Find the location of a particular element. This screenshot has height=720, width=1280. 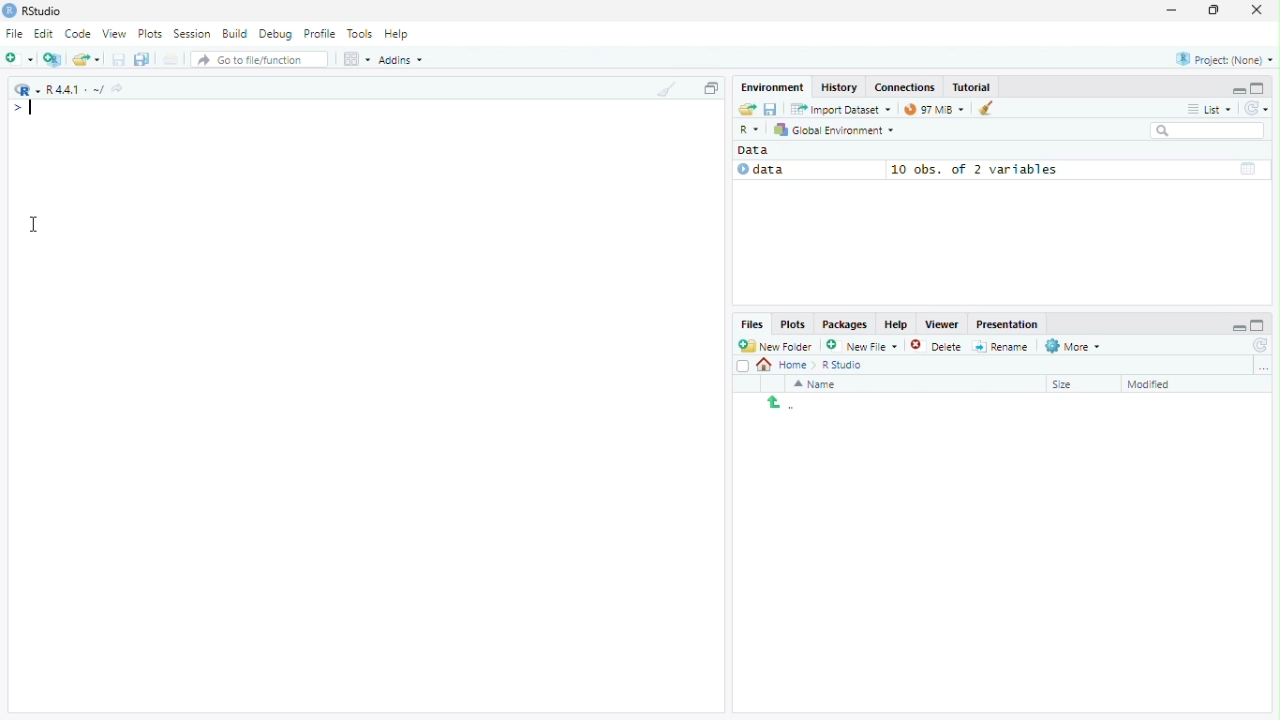

Clear console is located at coordinates (665, 89).